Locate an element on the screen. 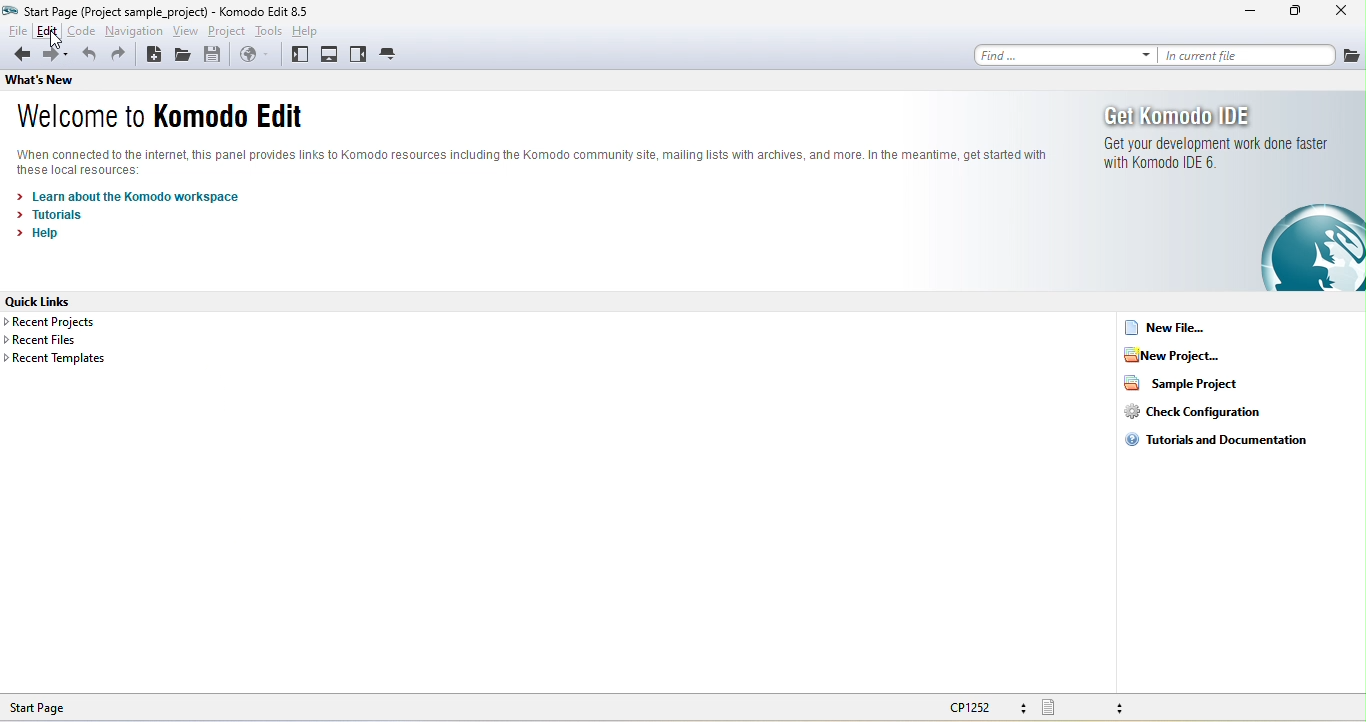 The width and height of the screenshot is (1366, 722). new project is located at coordinates (1176, 354).